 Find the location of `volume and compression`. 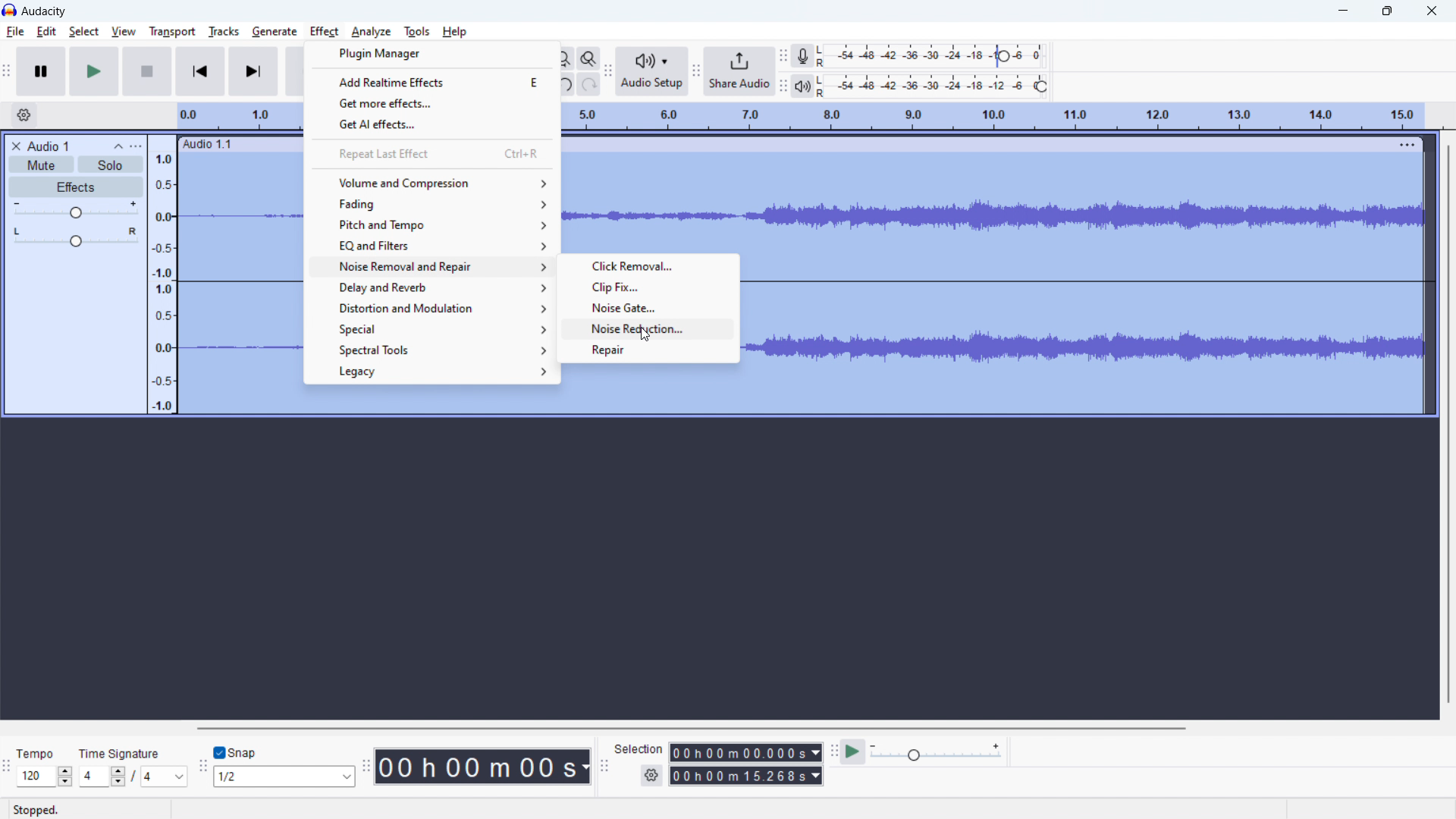

volume and compression is located at coordinates (431, 183).